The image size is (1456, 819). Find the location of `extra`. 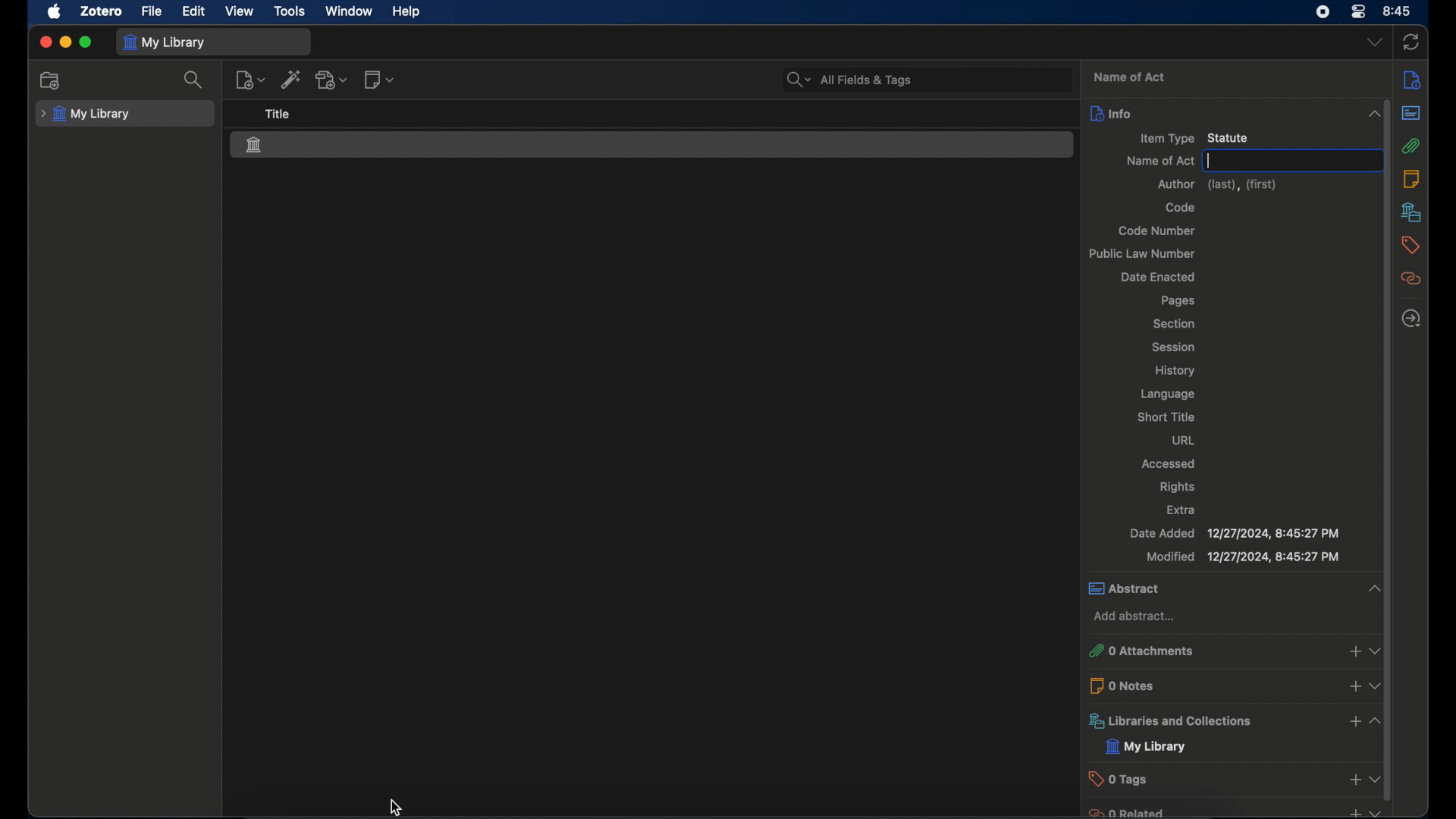

extra is located at coordinates (1181, 509).